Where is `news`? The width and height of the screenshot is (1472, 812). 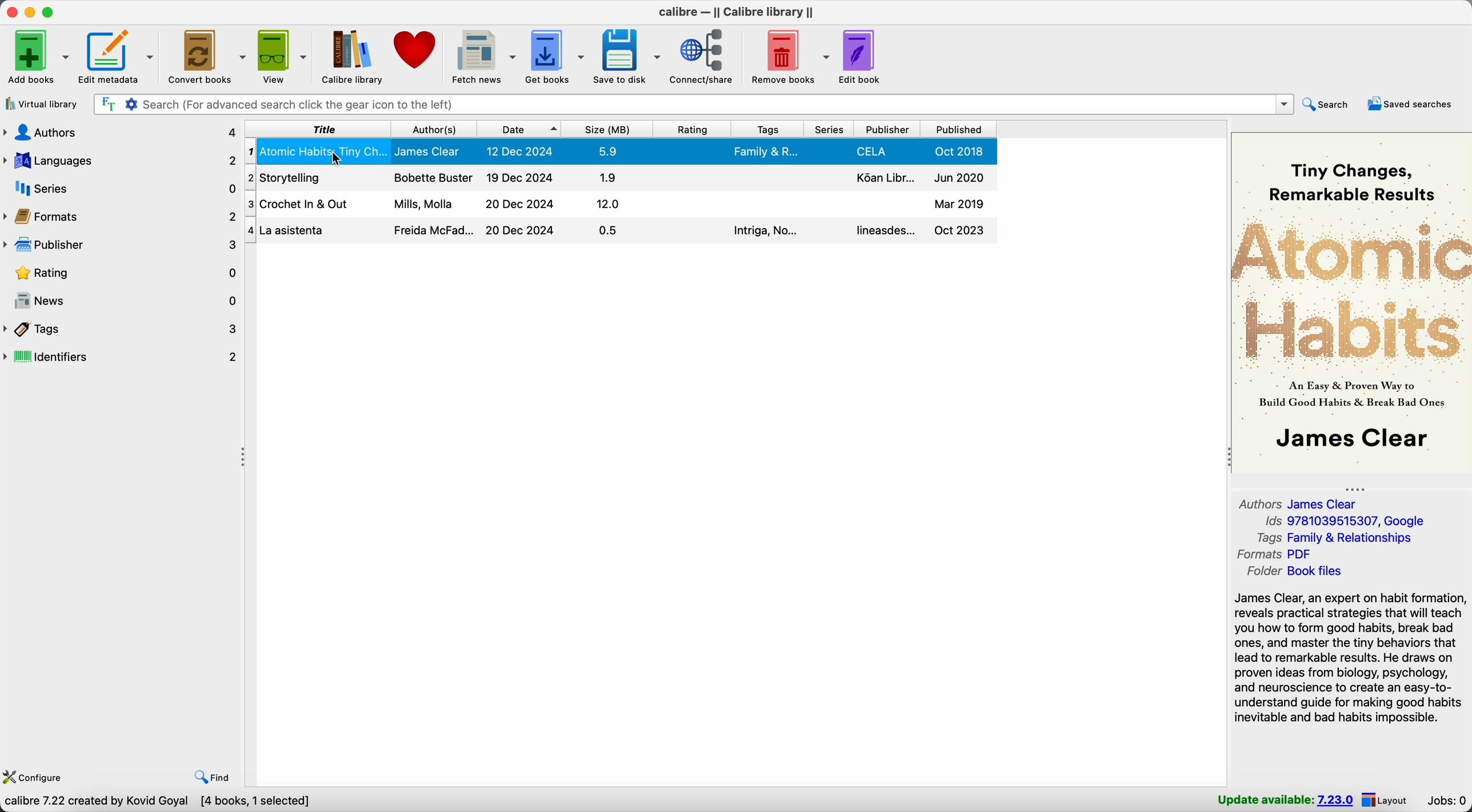
news is located at coordinates (122, 301).